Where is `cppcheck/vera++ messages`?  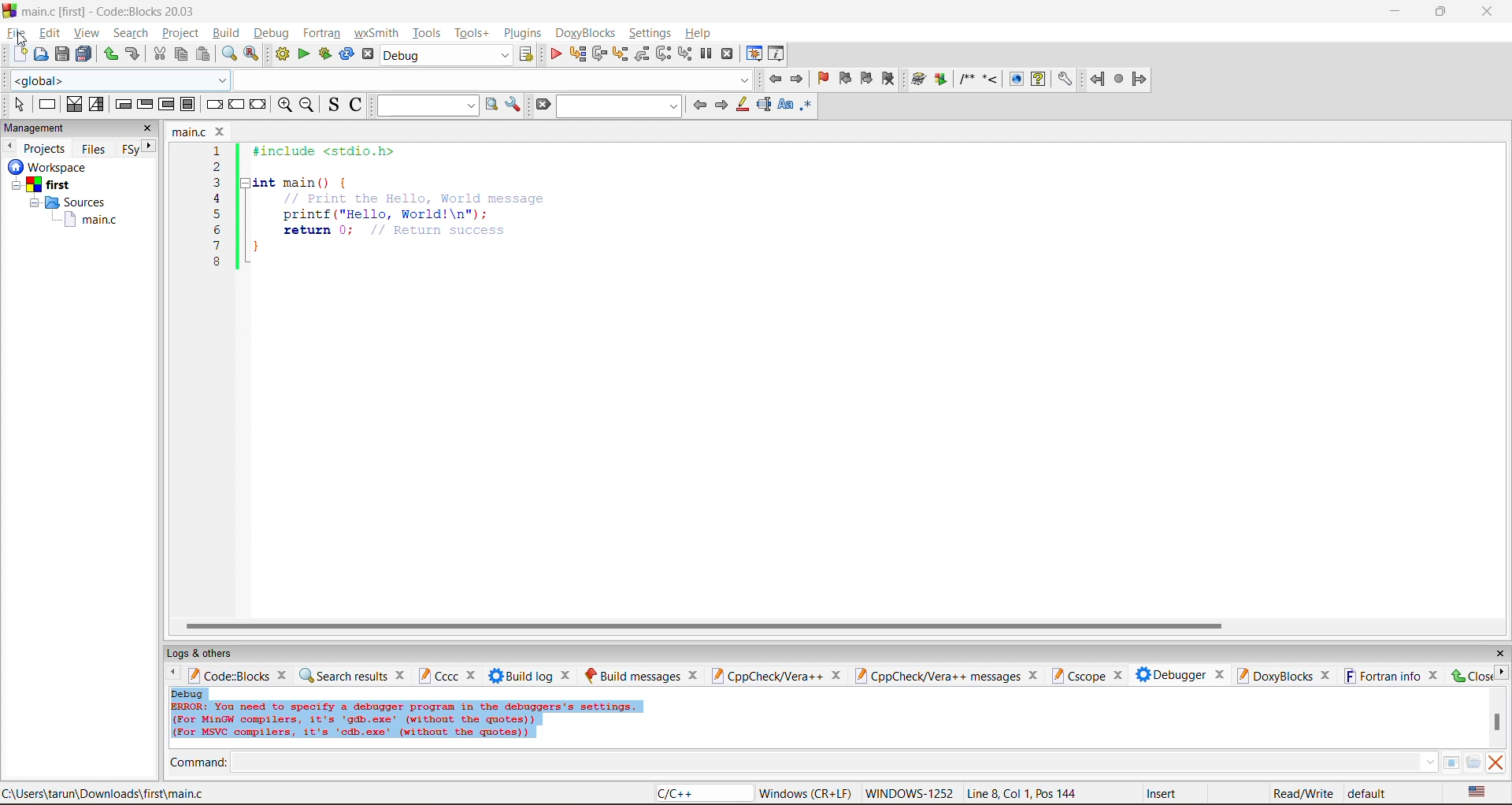 cppcheck/vera++ messages is located at coordinates (936, 676).